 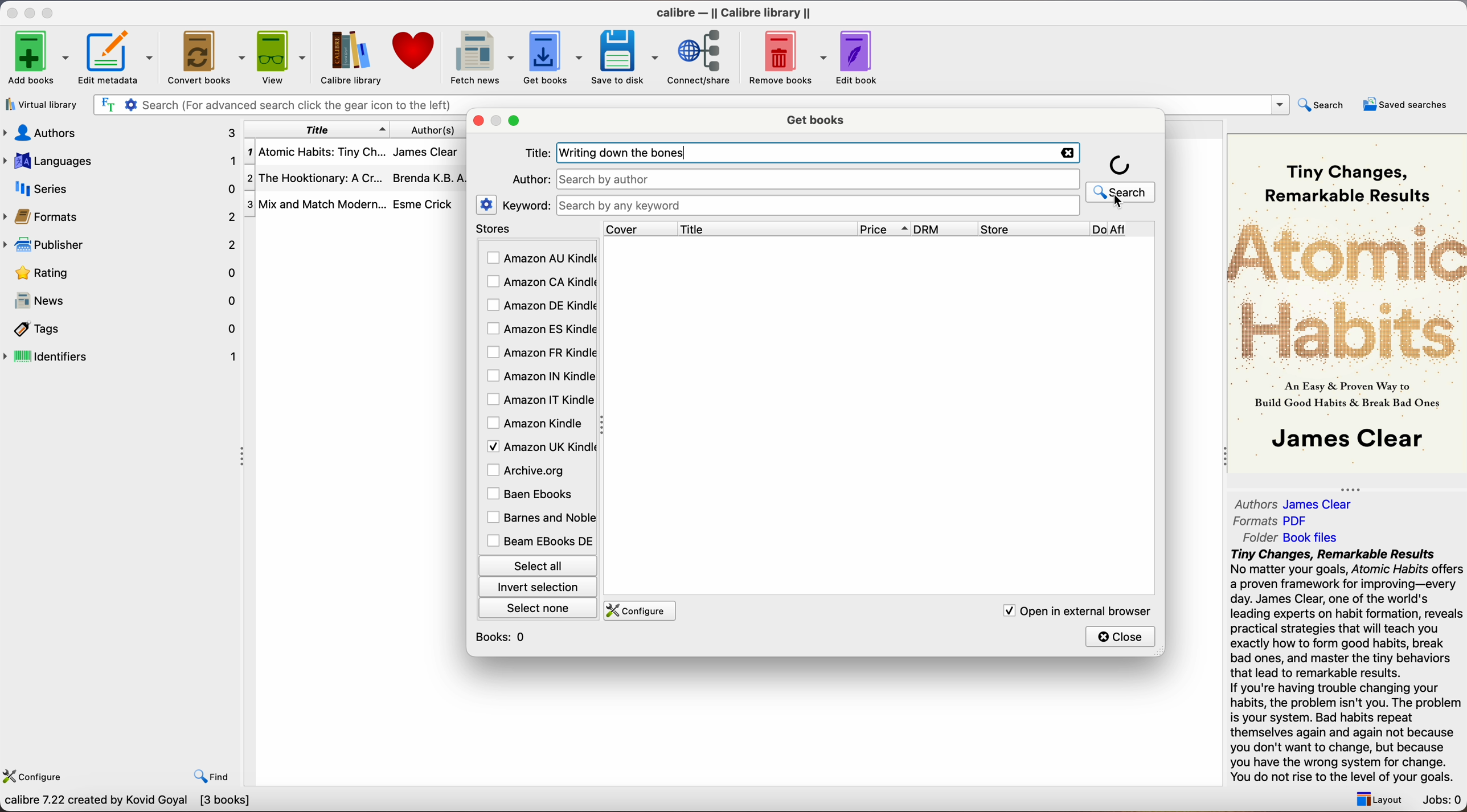 What do you see at coordinates (1117, 202) in the screenshot?
I see `cursor` at bounding box center [1117, 202].